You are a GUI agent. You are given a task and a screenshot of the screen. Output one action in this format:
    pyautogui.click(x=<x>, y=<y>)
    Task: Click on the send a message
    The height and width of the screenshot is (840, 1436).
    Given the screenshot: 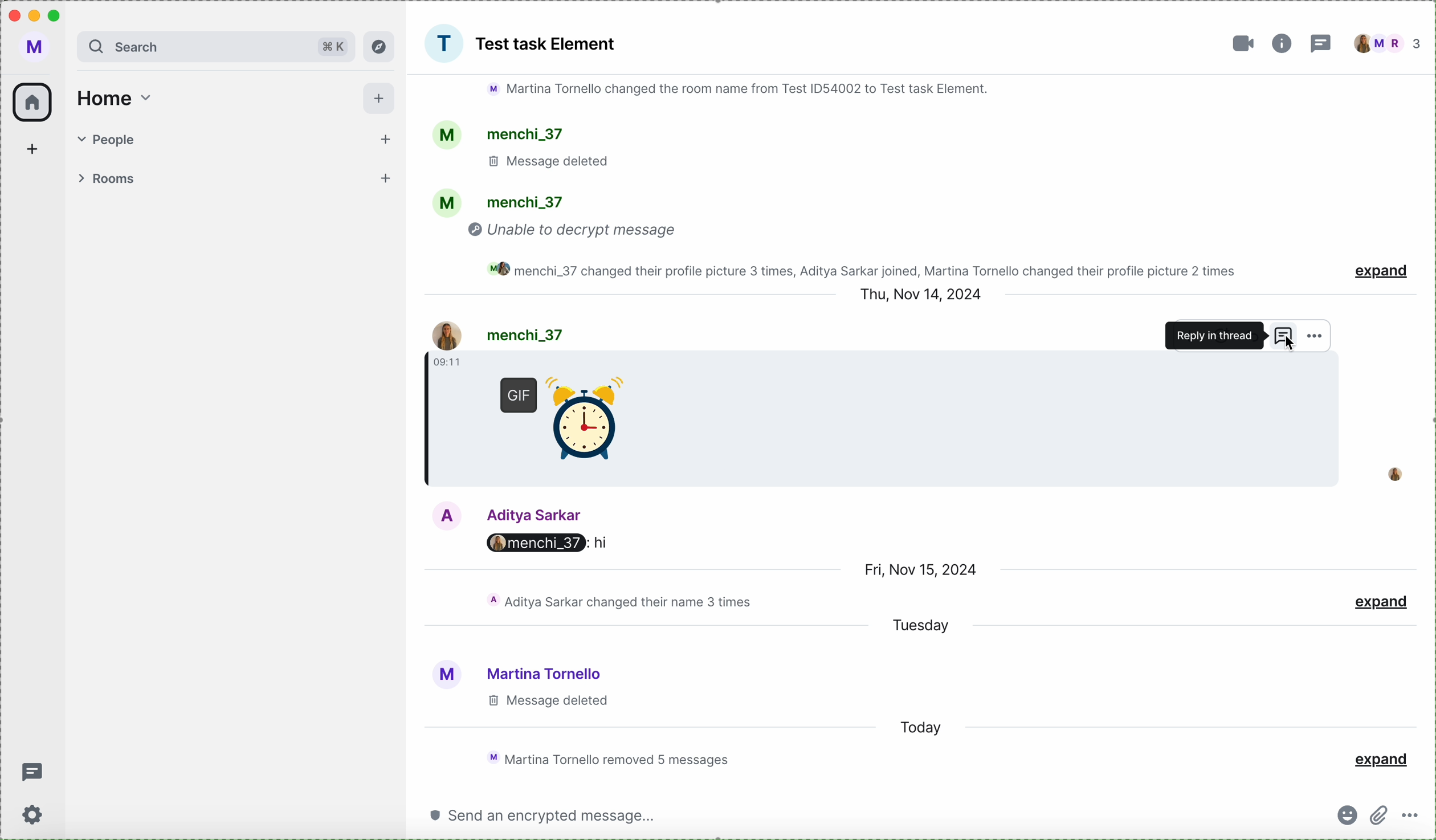 What is the action you would take?
    pyautogui.click(x=542, y=814)
    